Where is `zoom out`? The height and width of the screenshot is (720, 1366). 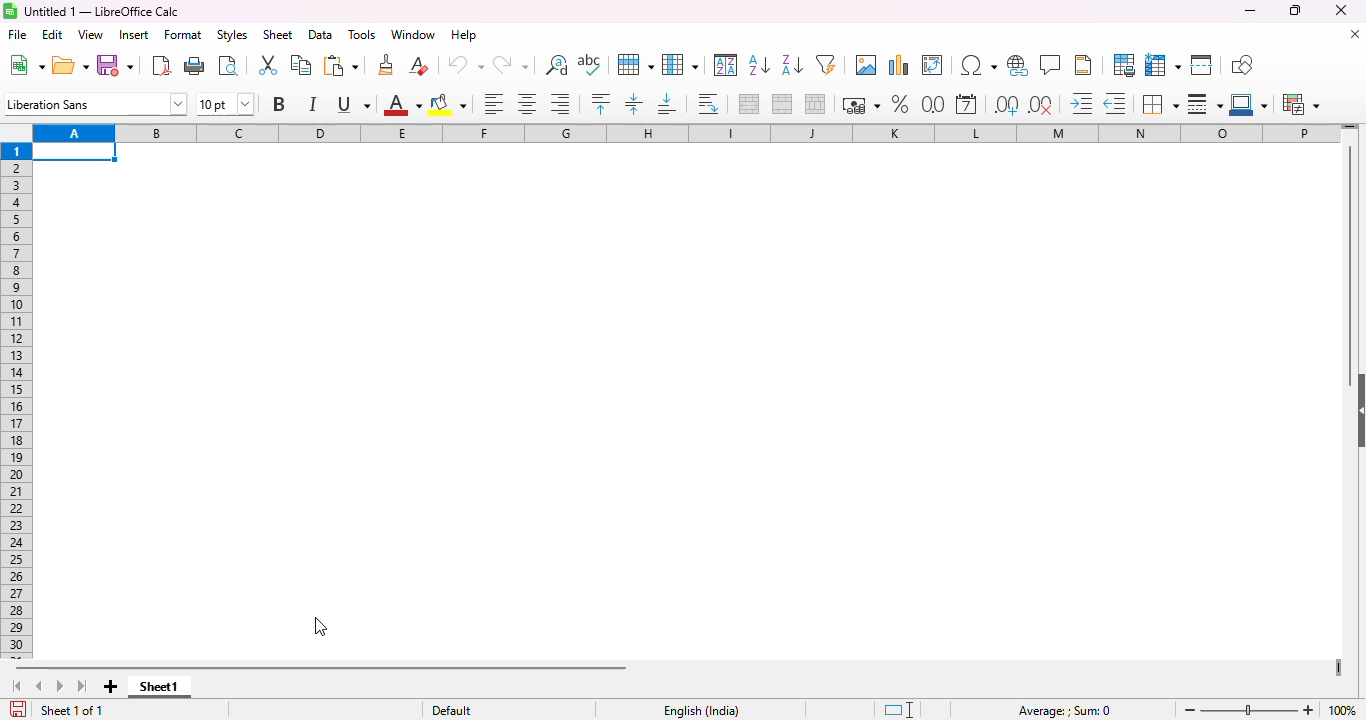 zoom out is located at coordinates (1190, 710).